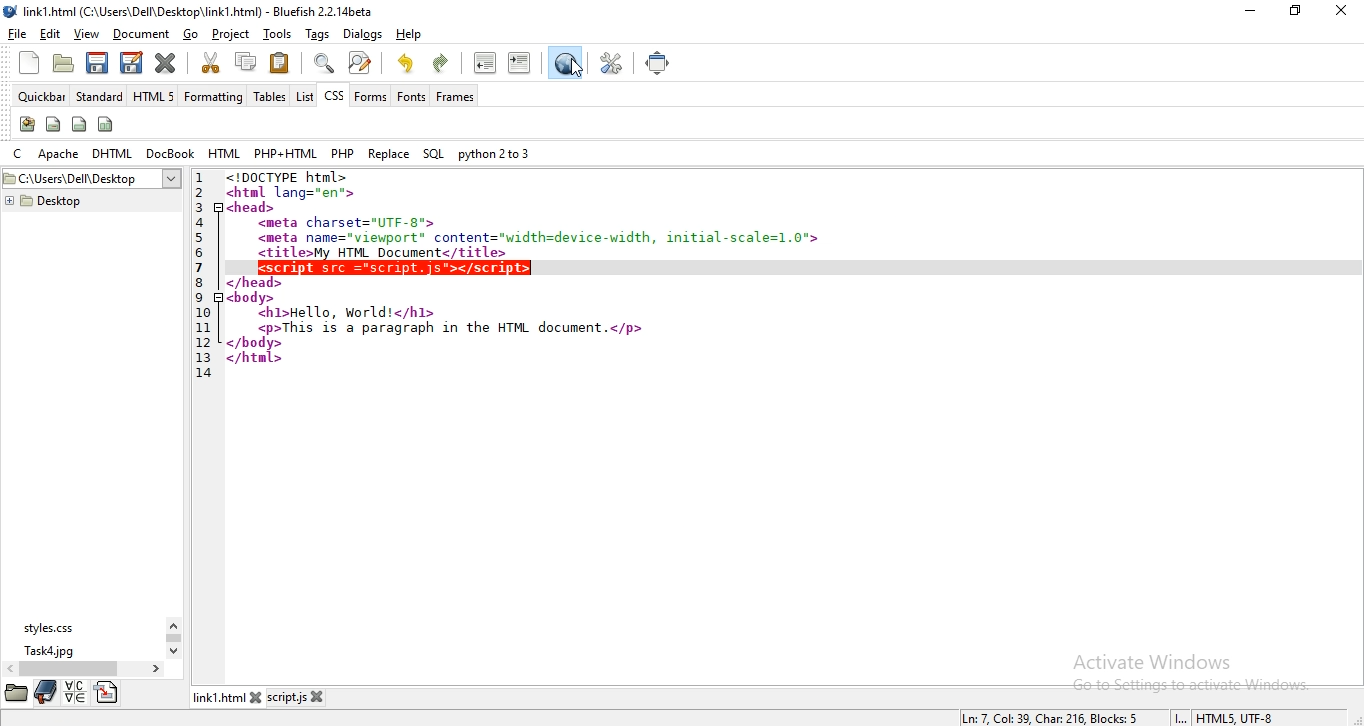 The image size is (1364, 726). Describe the element at coordinates (198, 178) in the screenshot. I see `1` at that location.